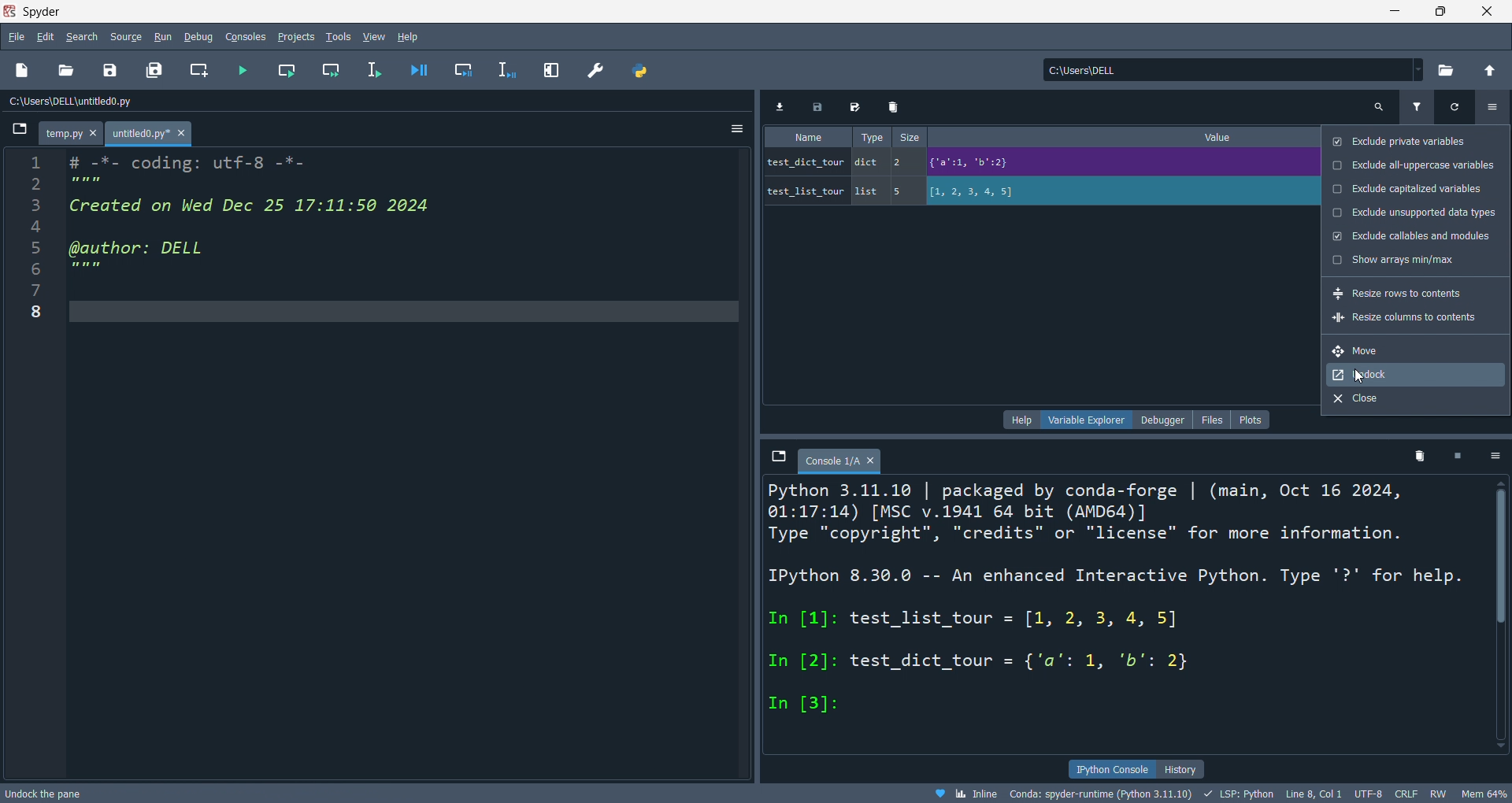 This screenshot has width=1512, height=803. Describe the element at coordinates (820, 107) in the screenshot. I see `save` at that location.